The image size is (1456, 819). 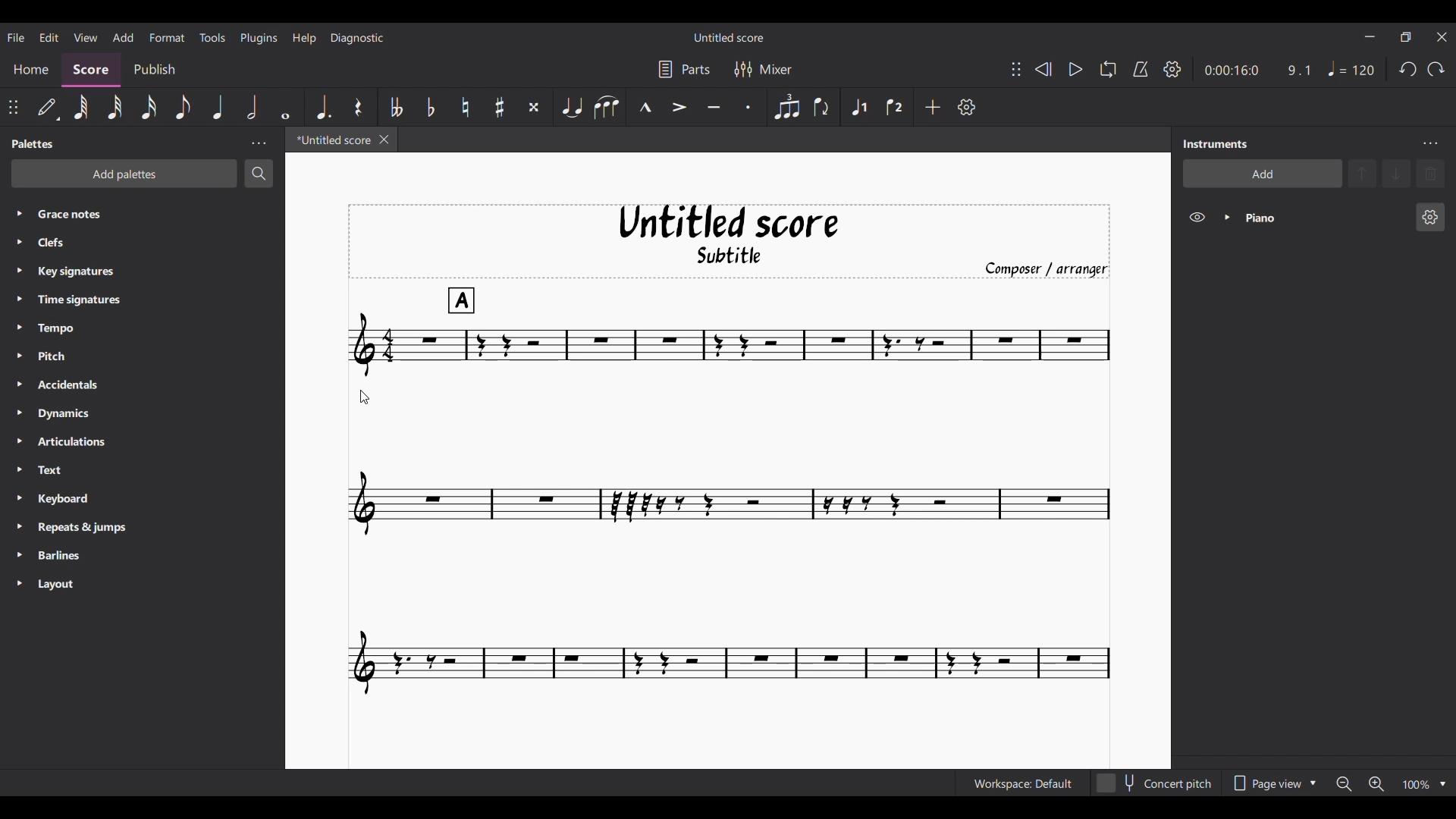 What do you see at coordinates (678, 107) in the screenshot?
I see `Accent` at bounding box center [678, 107].